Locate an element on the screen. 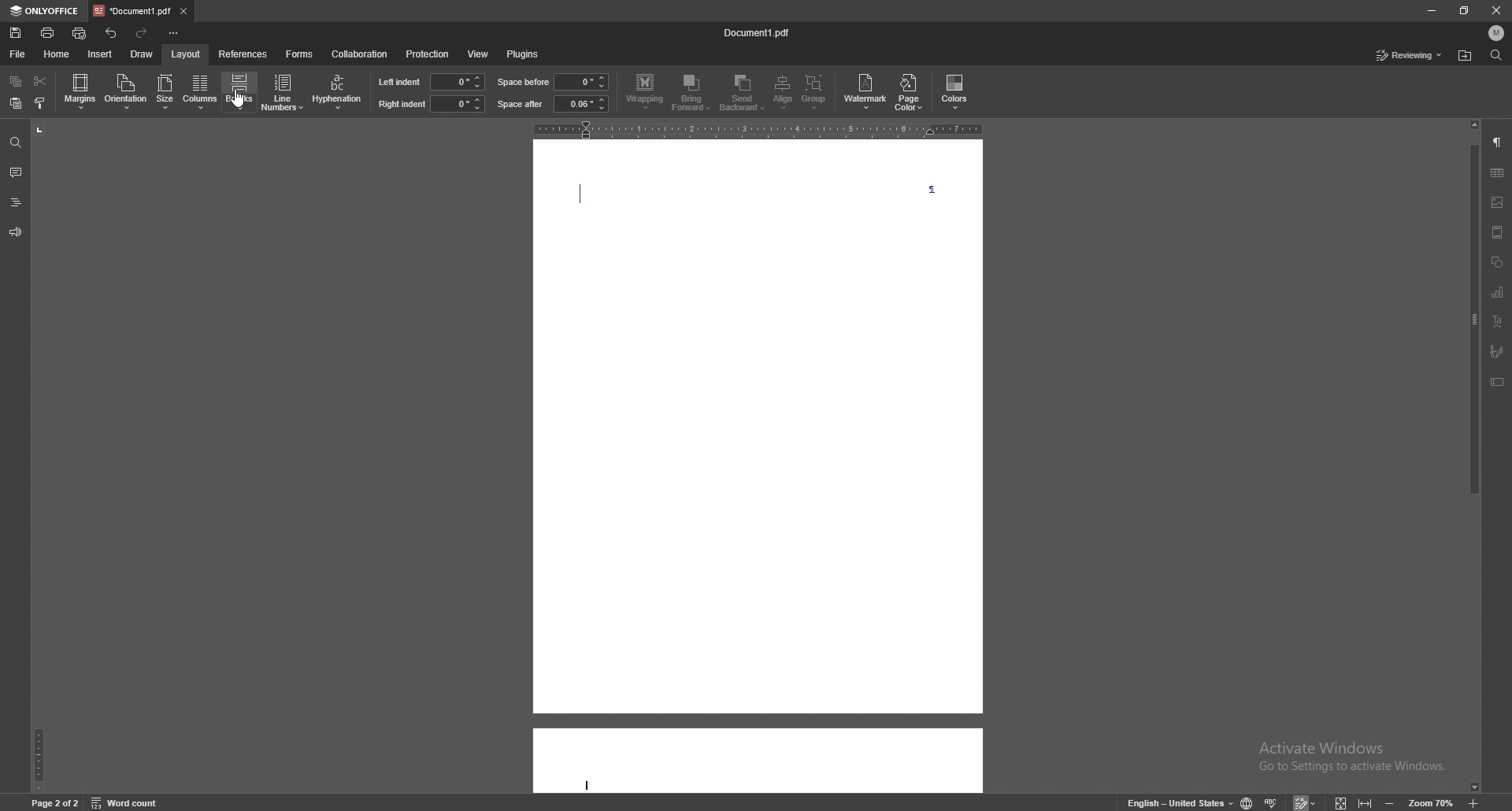 Image resolution: width=1512 pixels, height=811 pixels. table is located at coordinates (1497, 172).